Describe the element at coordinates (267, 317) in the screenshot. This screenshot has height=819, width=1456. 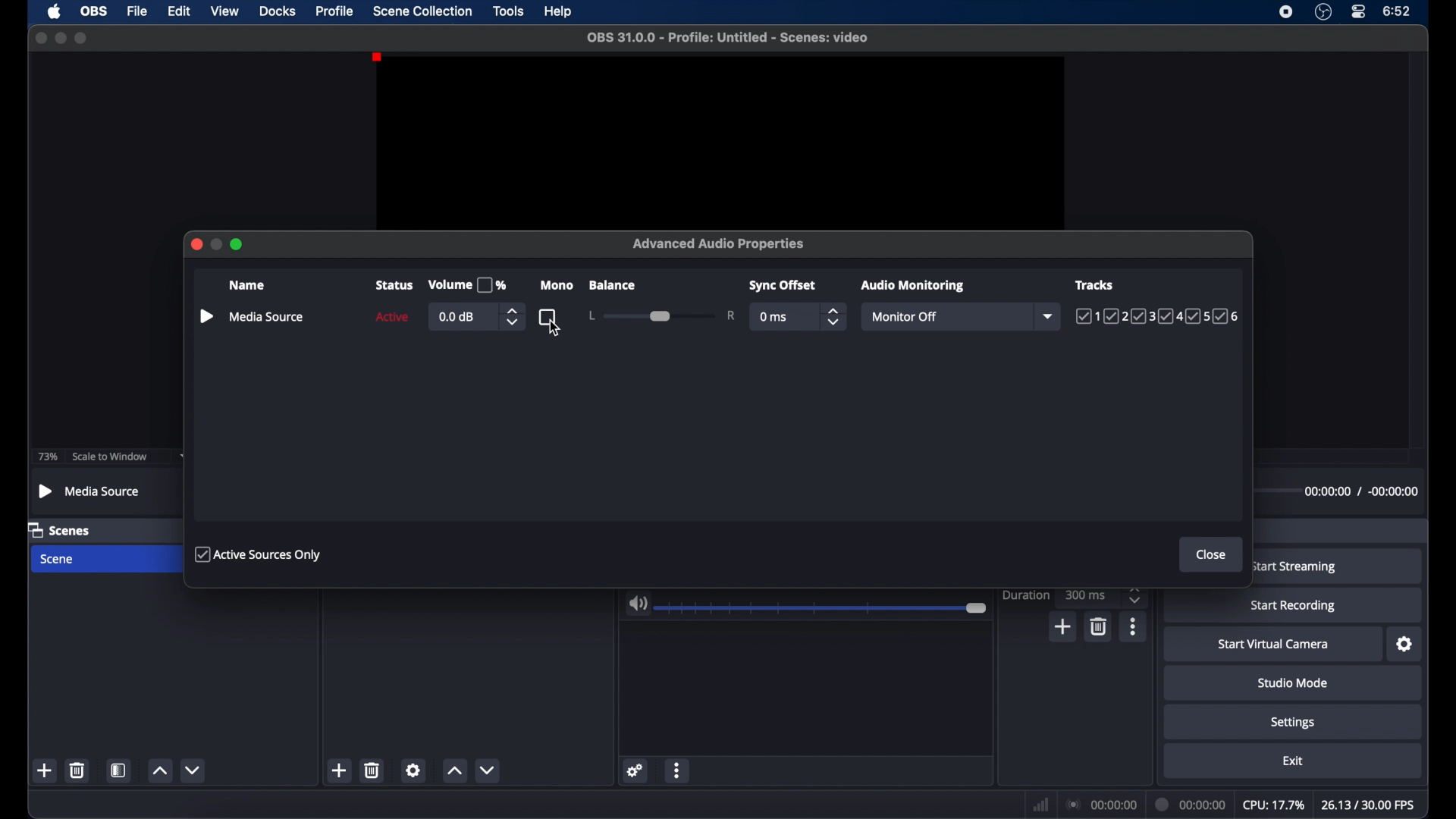
I see `media source` at that location.